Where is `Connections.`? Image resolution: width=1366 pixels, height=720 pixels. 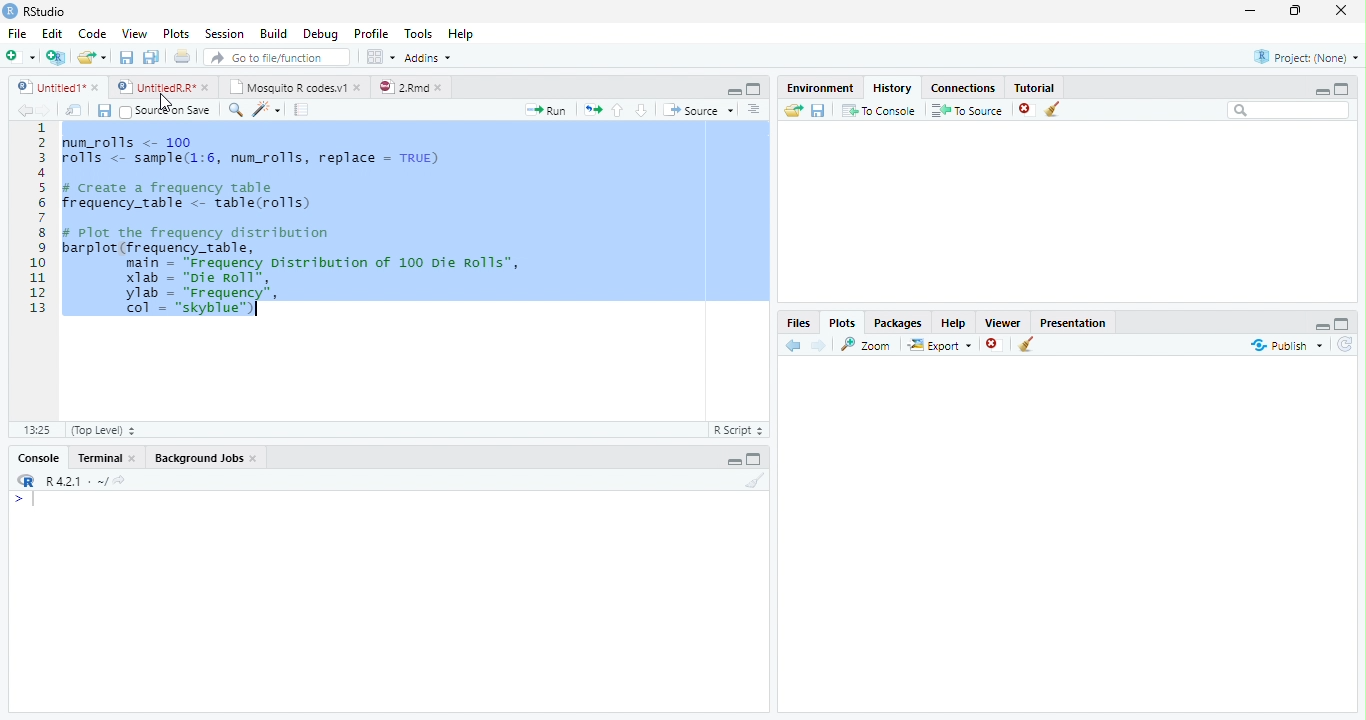 Connections. is located at coordinates (963, 87).